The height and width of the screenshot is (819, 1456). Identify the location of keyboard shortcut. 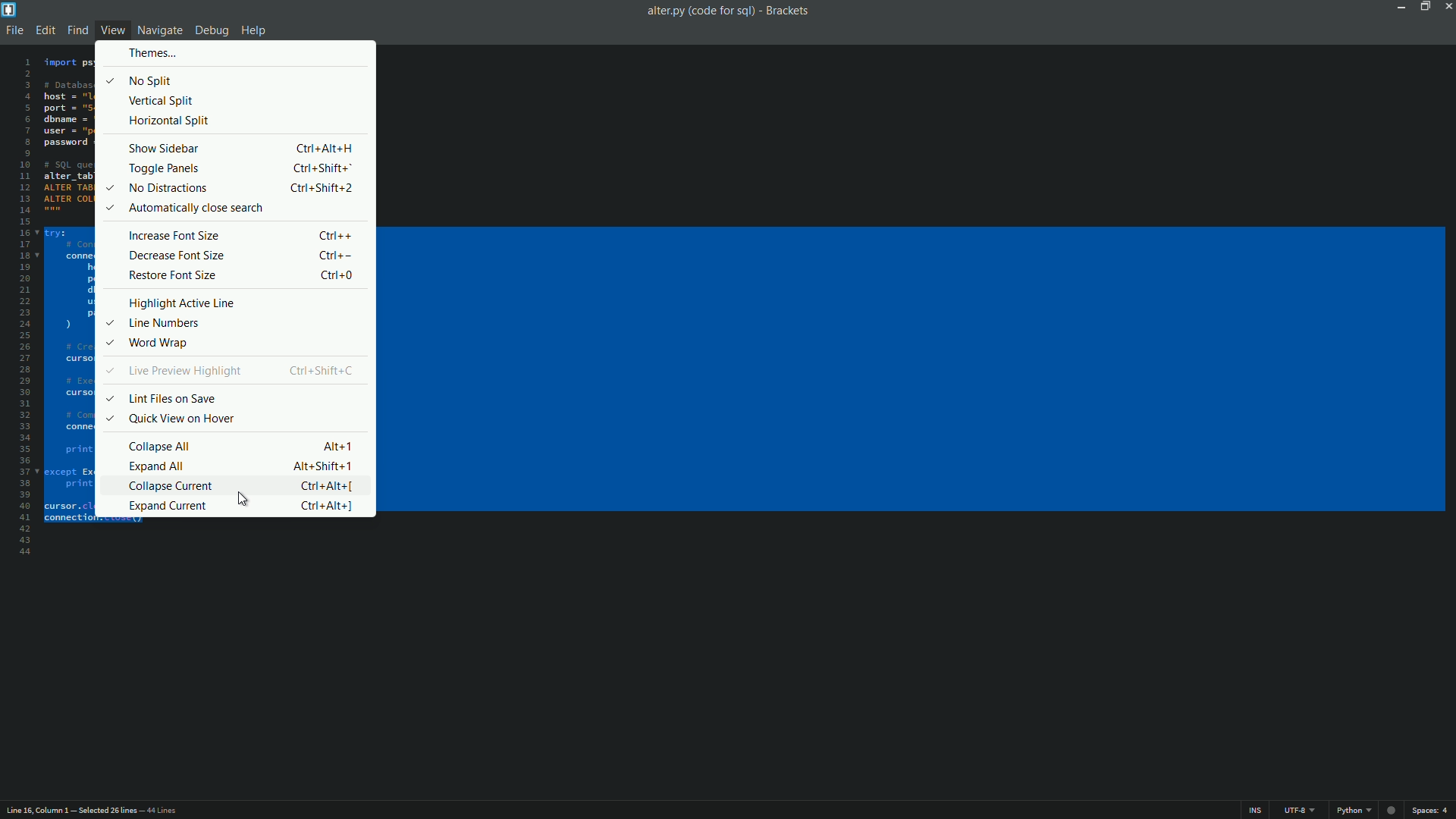
(340, 447).